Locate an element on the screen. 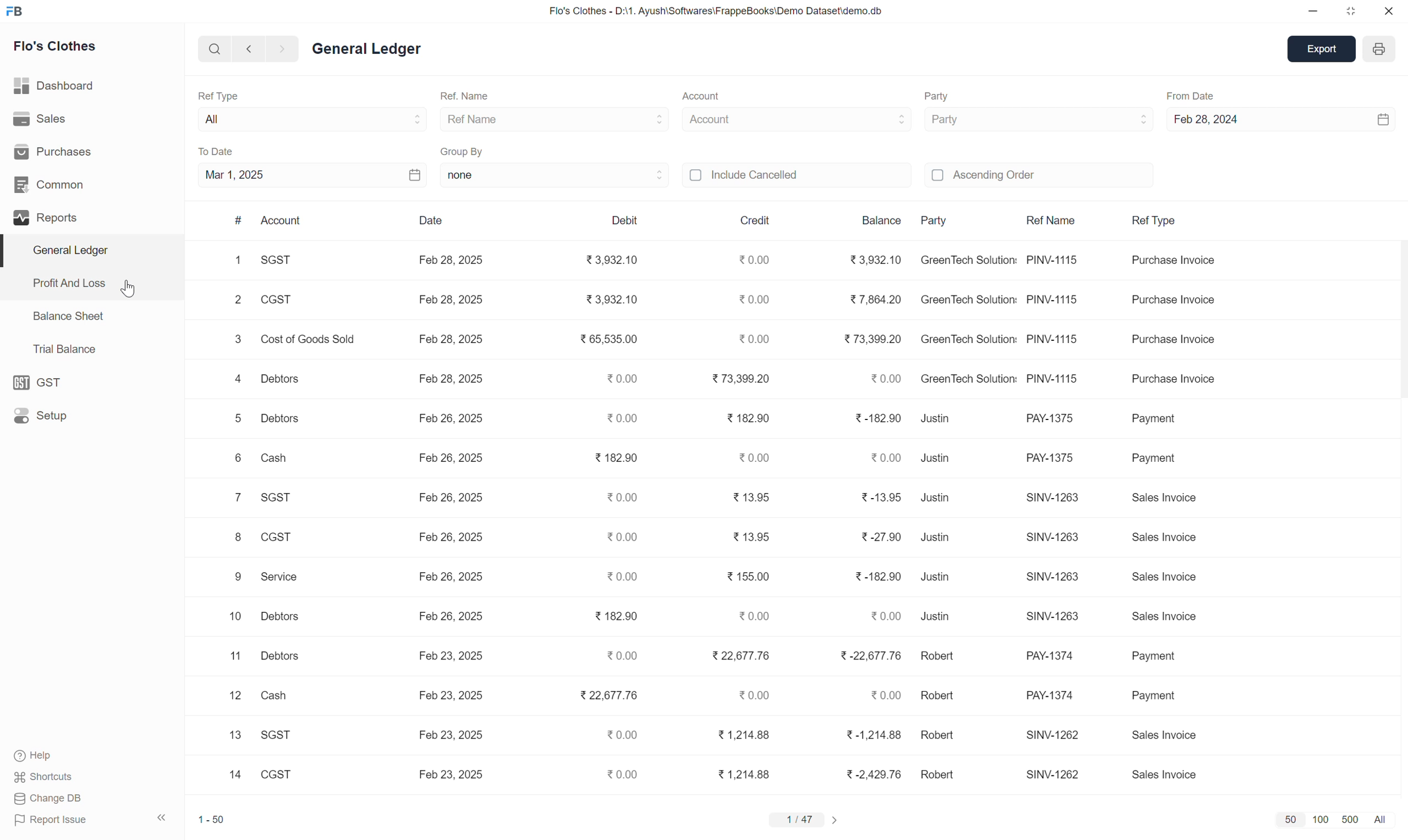  GST is located at coordinates (48, 380).